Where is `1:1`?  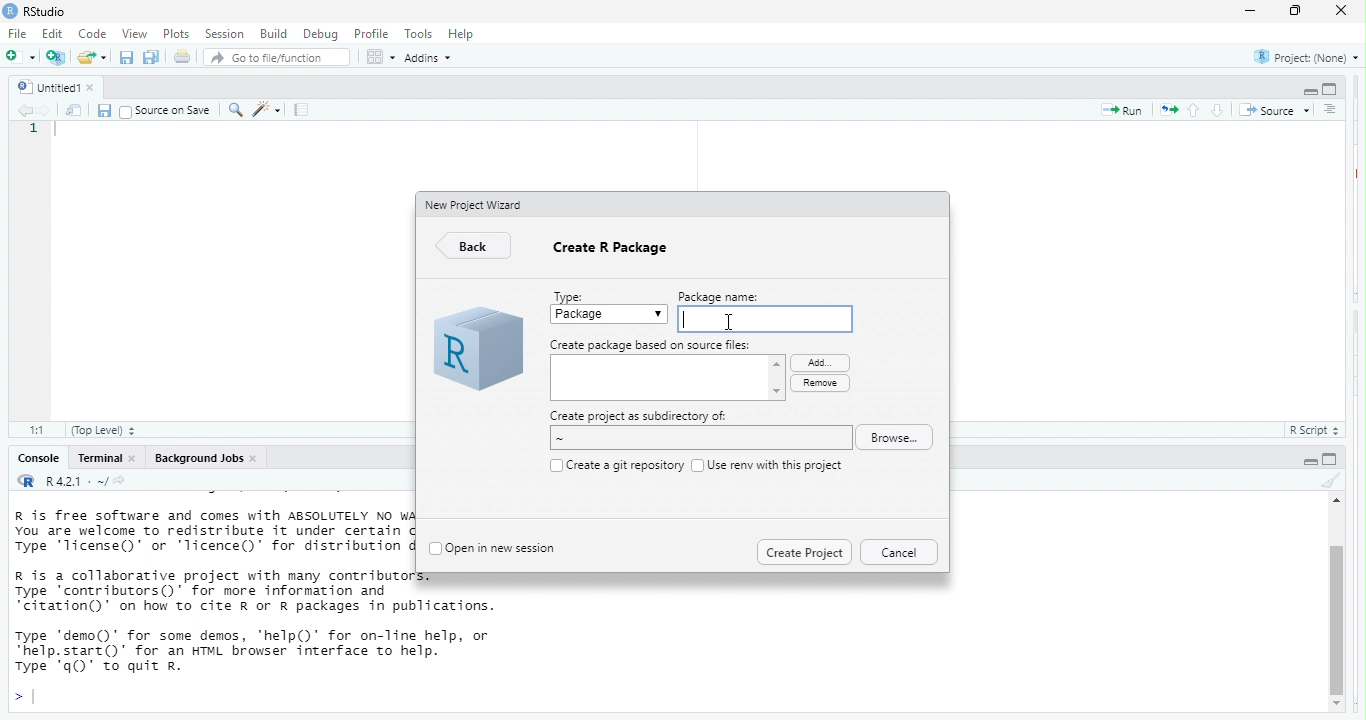
1:1 is located at coordinates (34, 429).